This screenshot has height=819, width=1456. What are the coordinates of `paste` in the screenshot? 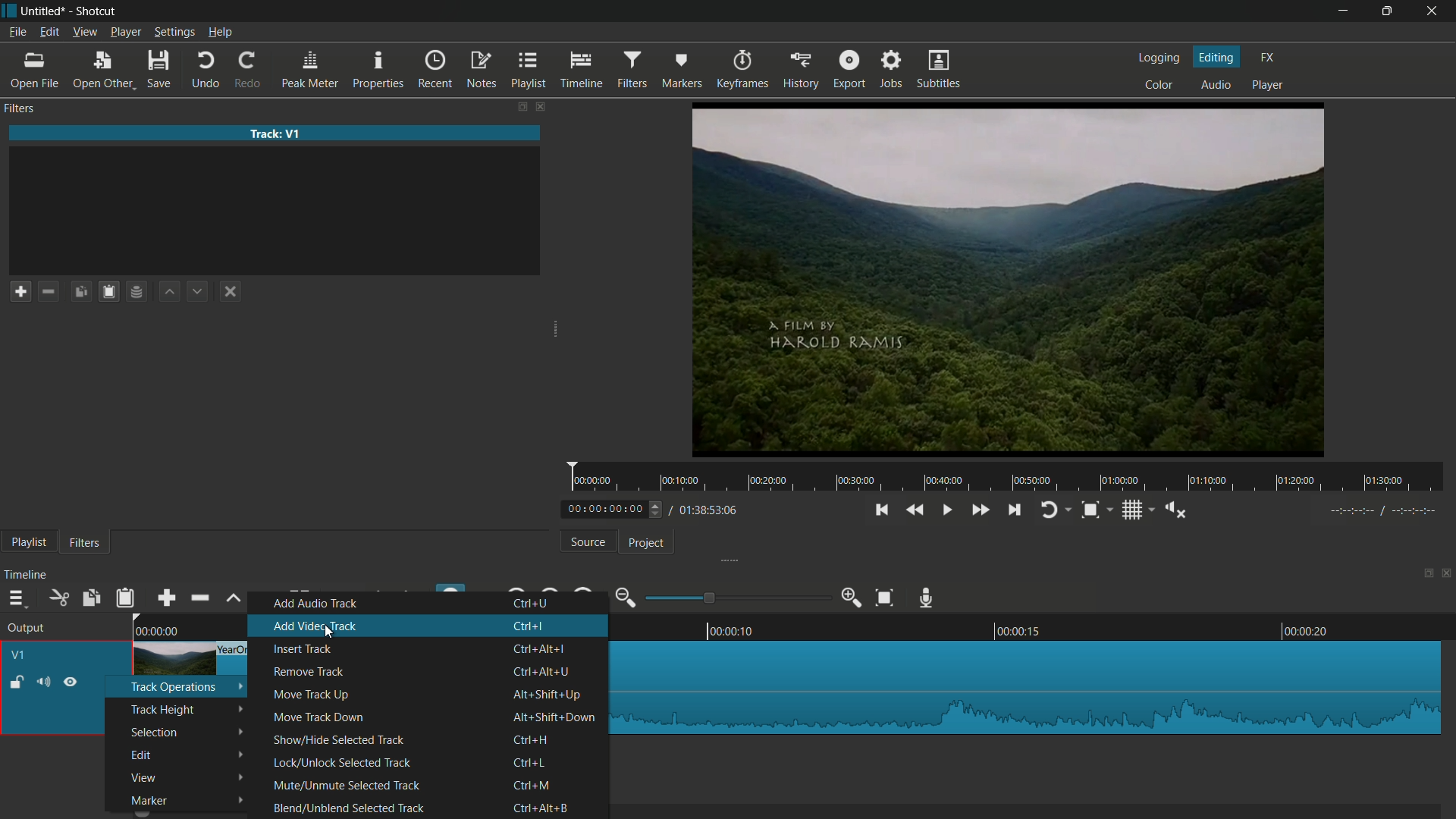 It's located at (124, 597).